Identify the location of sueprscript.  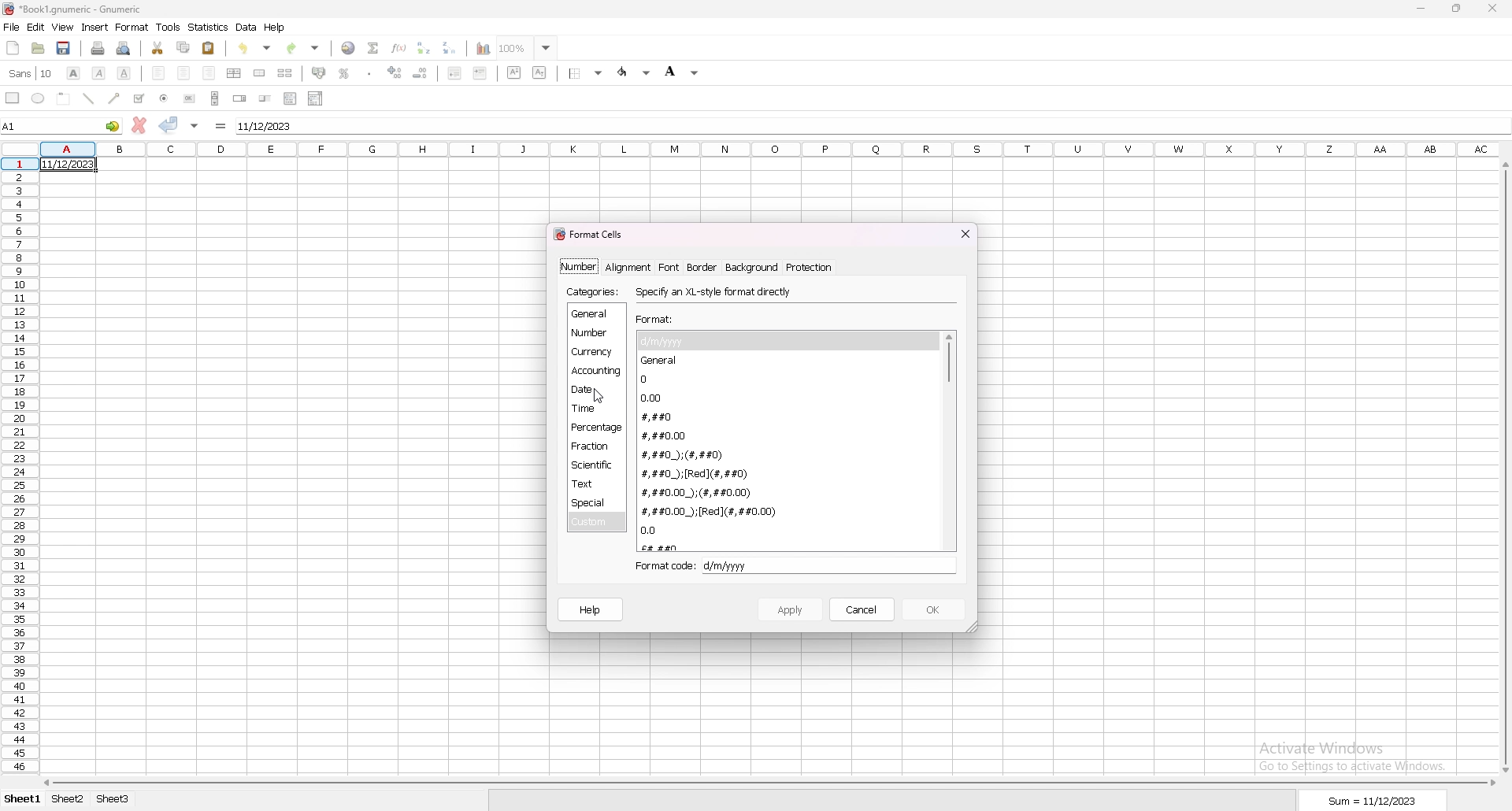
(514, 72).